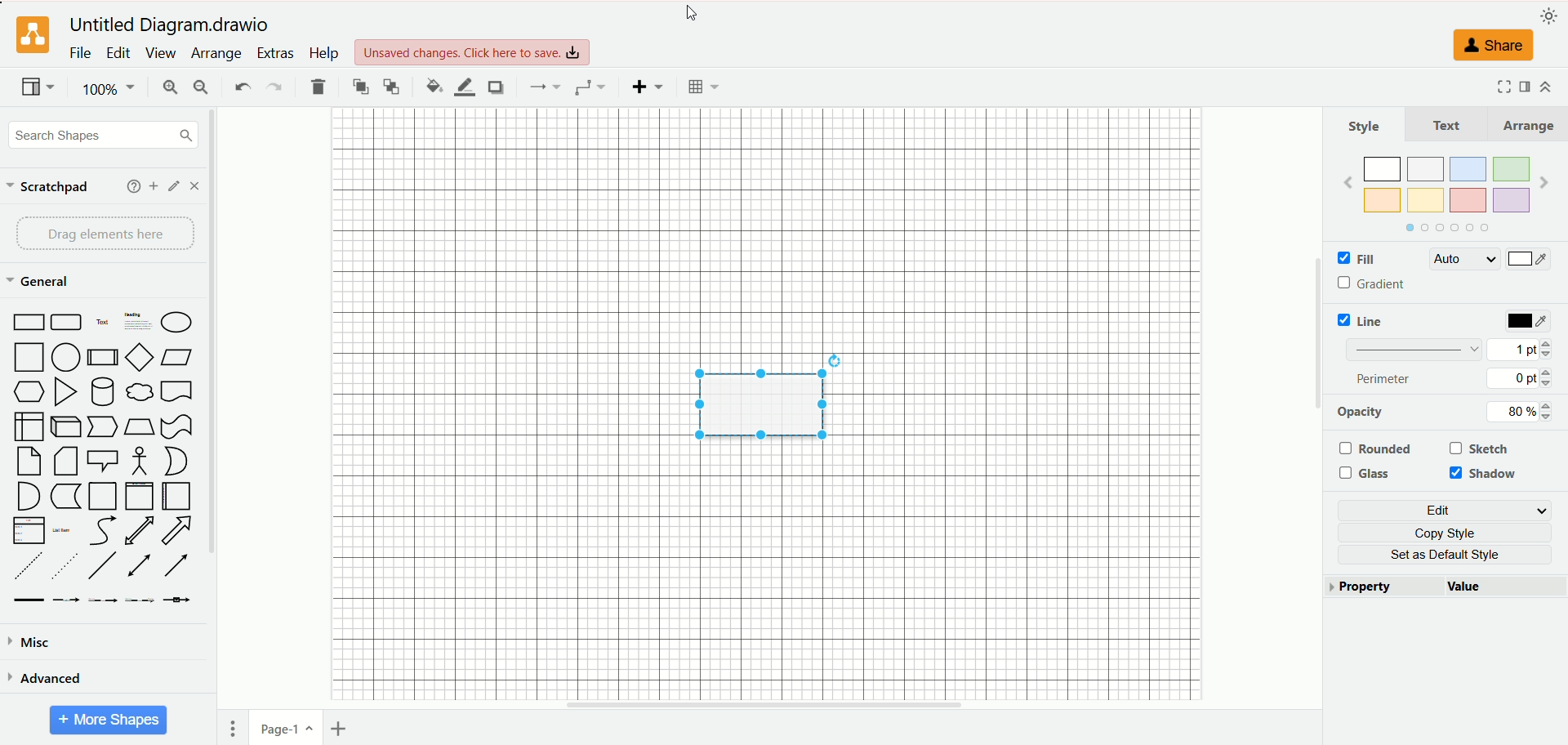 The width and height of the screenshot is (1568, 745). I want to click on gradient, so click(1374, 284).